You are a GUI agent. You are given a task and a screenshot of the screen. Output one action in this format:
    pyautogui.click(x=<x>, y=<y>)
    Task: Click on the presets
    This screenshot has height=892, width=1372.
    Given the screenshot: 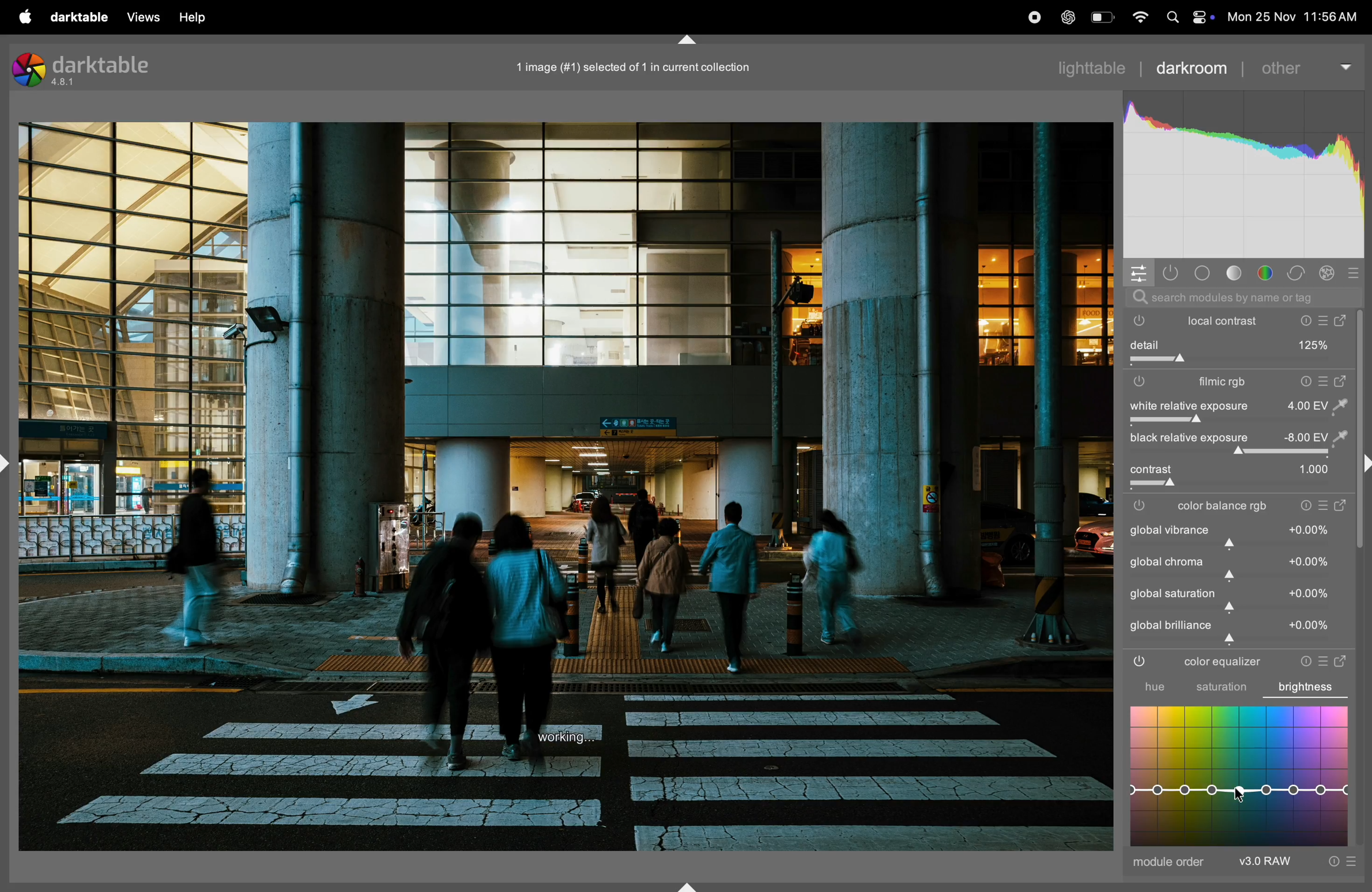 What is the action you would take?
    pyautogui.click(x=1324, y=507)
    